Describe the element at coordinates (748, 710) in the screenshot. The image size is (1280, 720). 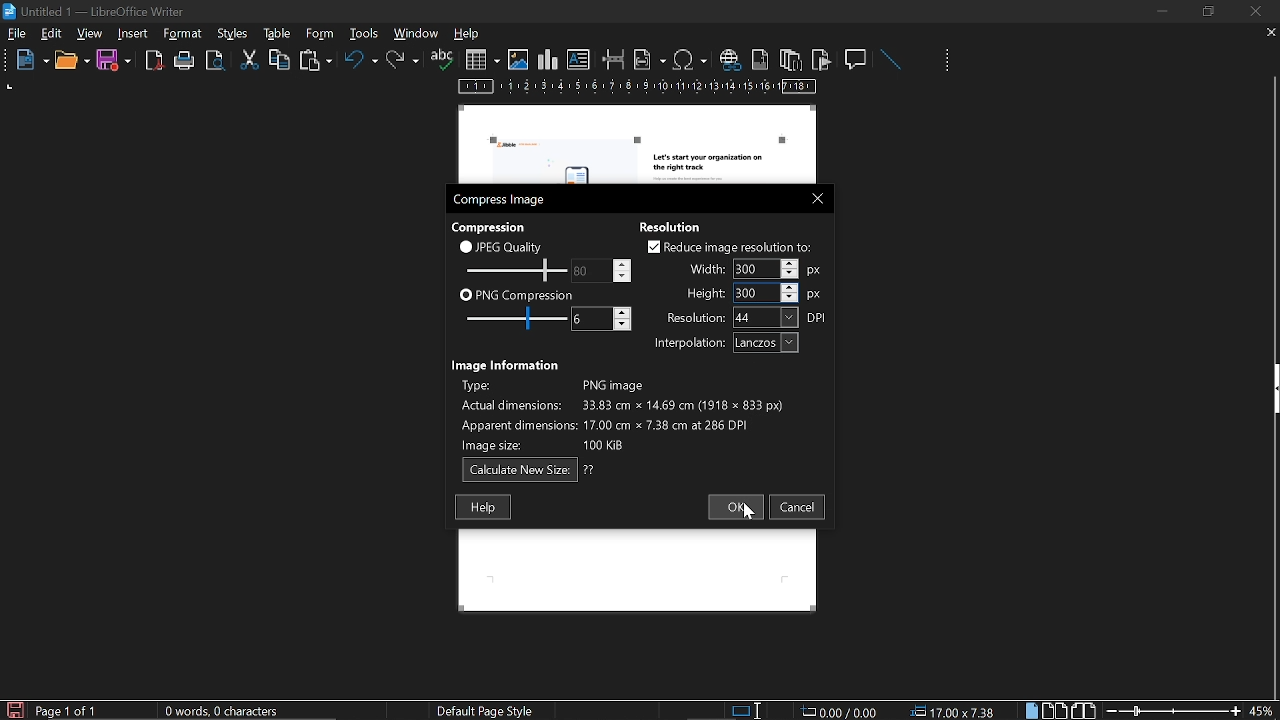
I see `standard selection` at that location.